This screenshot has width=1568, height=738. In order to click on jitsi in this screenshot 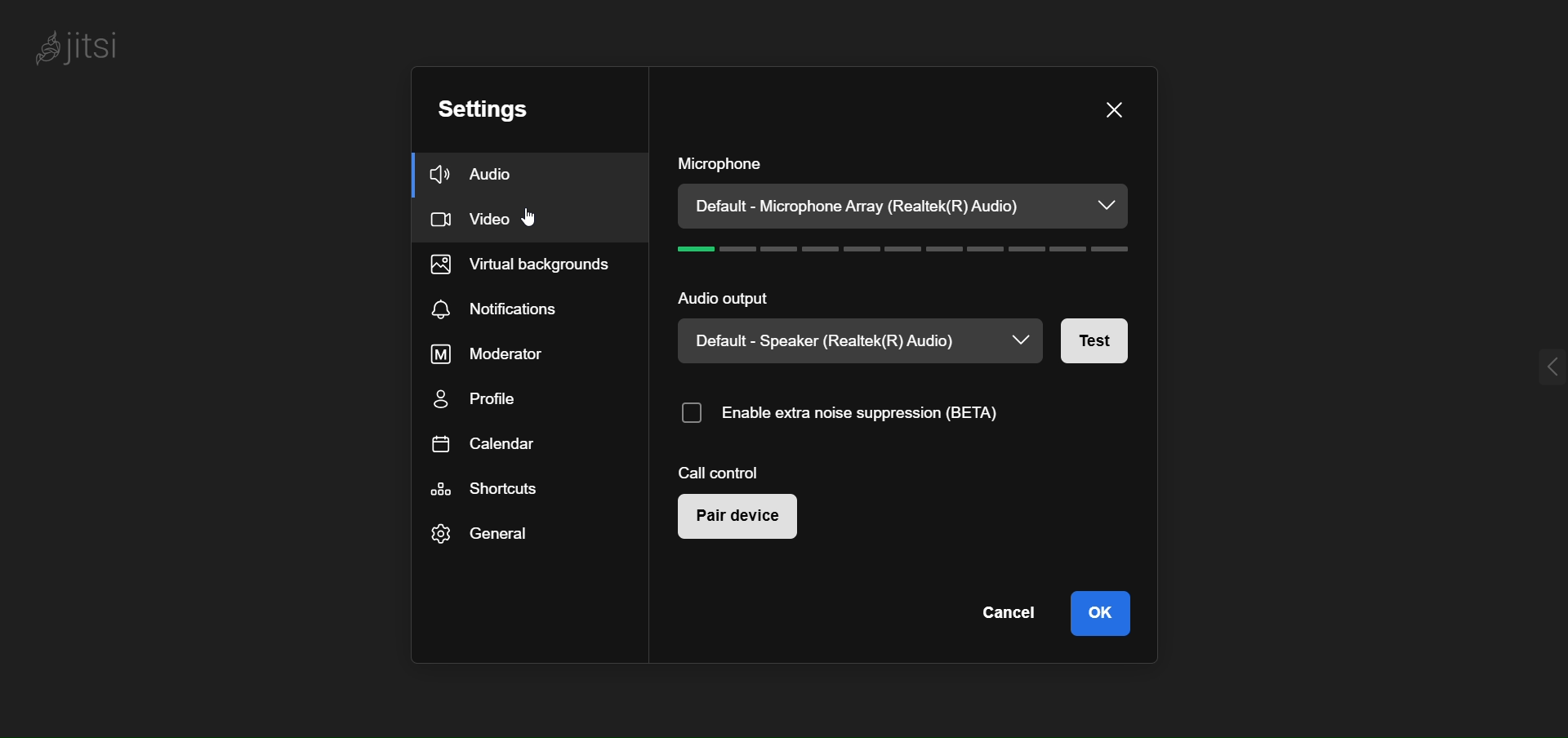, I will do `click(81, 47)`.